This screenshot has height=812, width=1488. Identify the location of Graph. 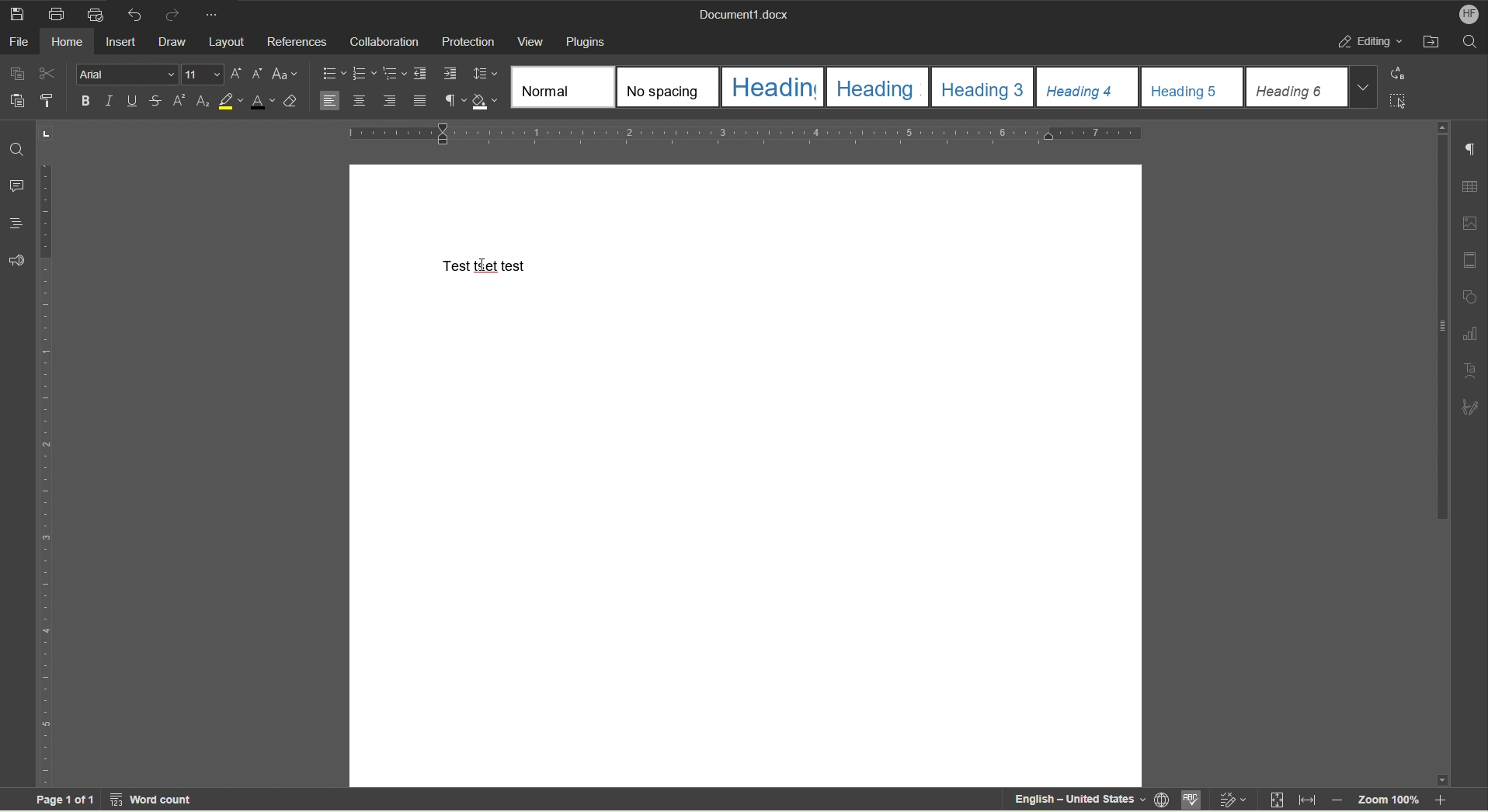
(1469, 335).